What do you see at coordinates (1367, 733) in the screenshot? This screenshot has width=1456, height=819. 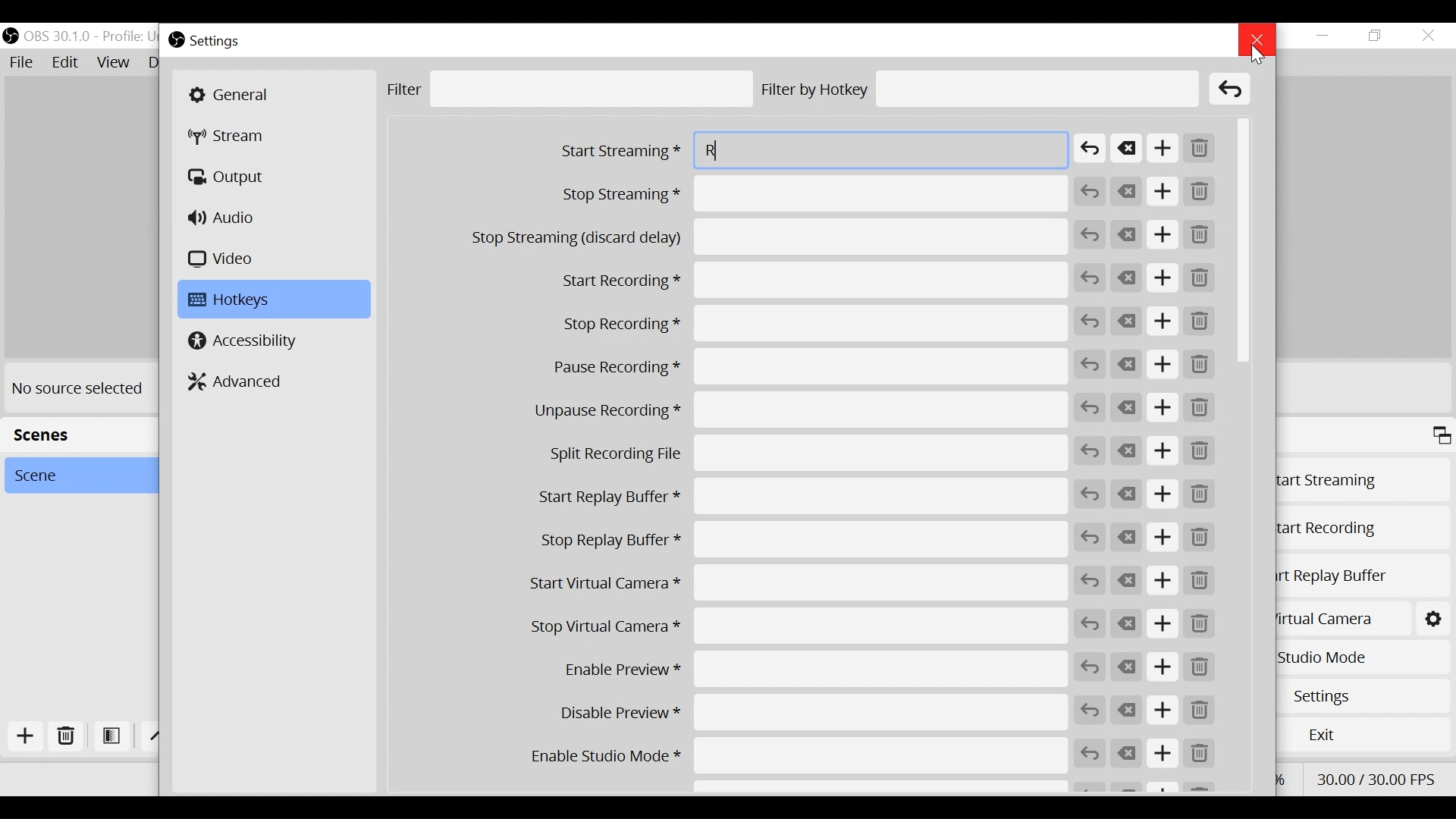 I see `Exit` at bounding box center [1367, 733].